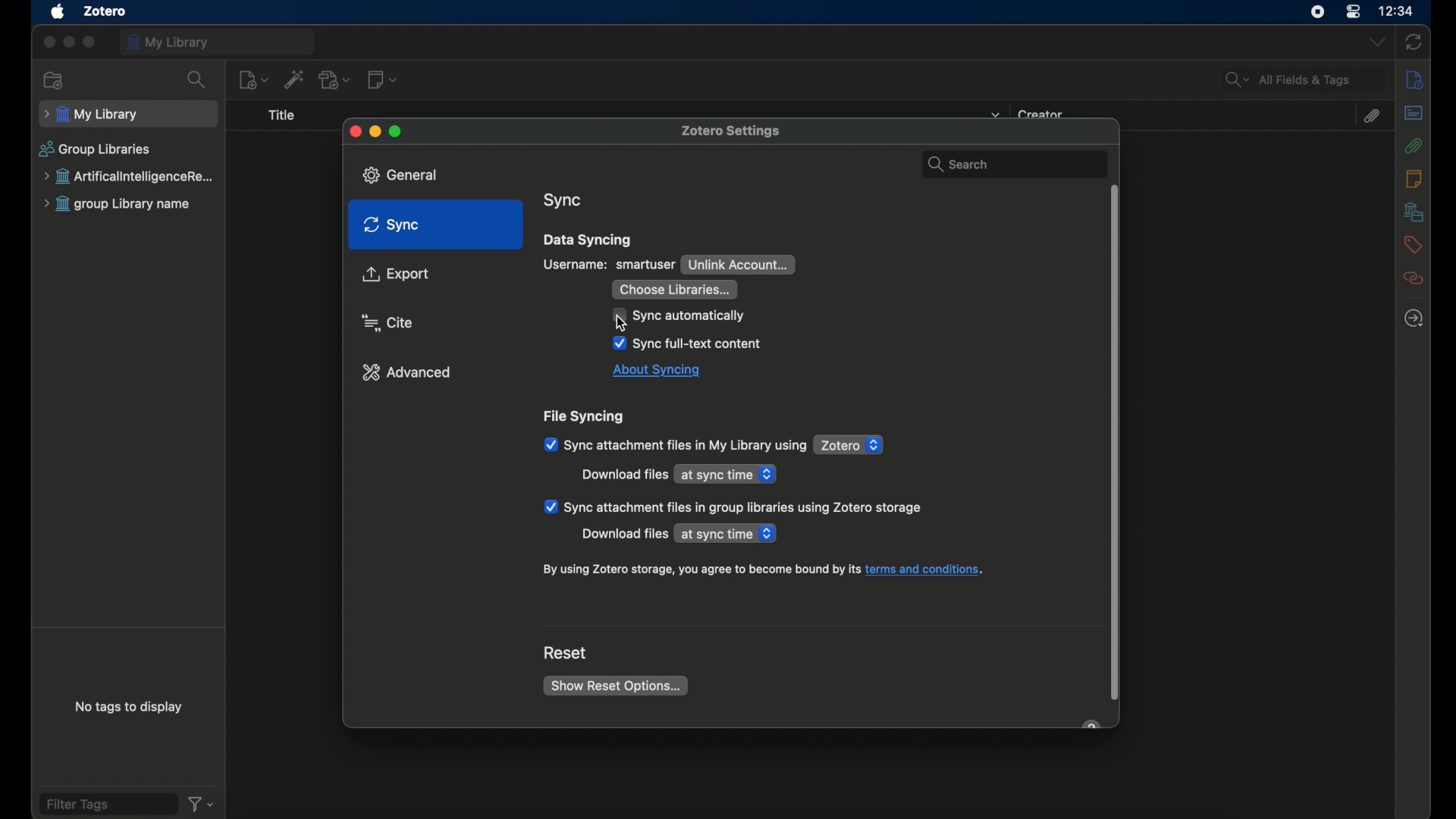  Describe the element at coordinates (1412, 212) in the screenshot. I see `libraries and collections` at that location.